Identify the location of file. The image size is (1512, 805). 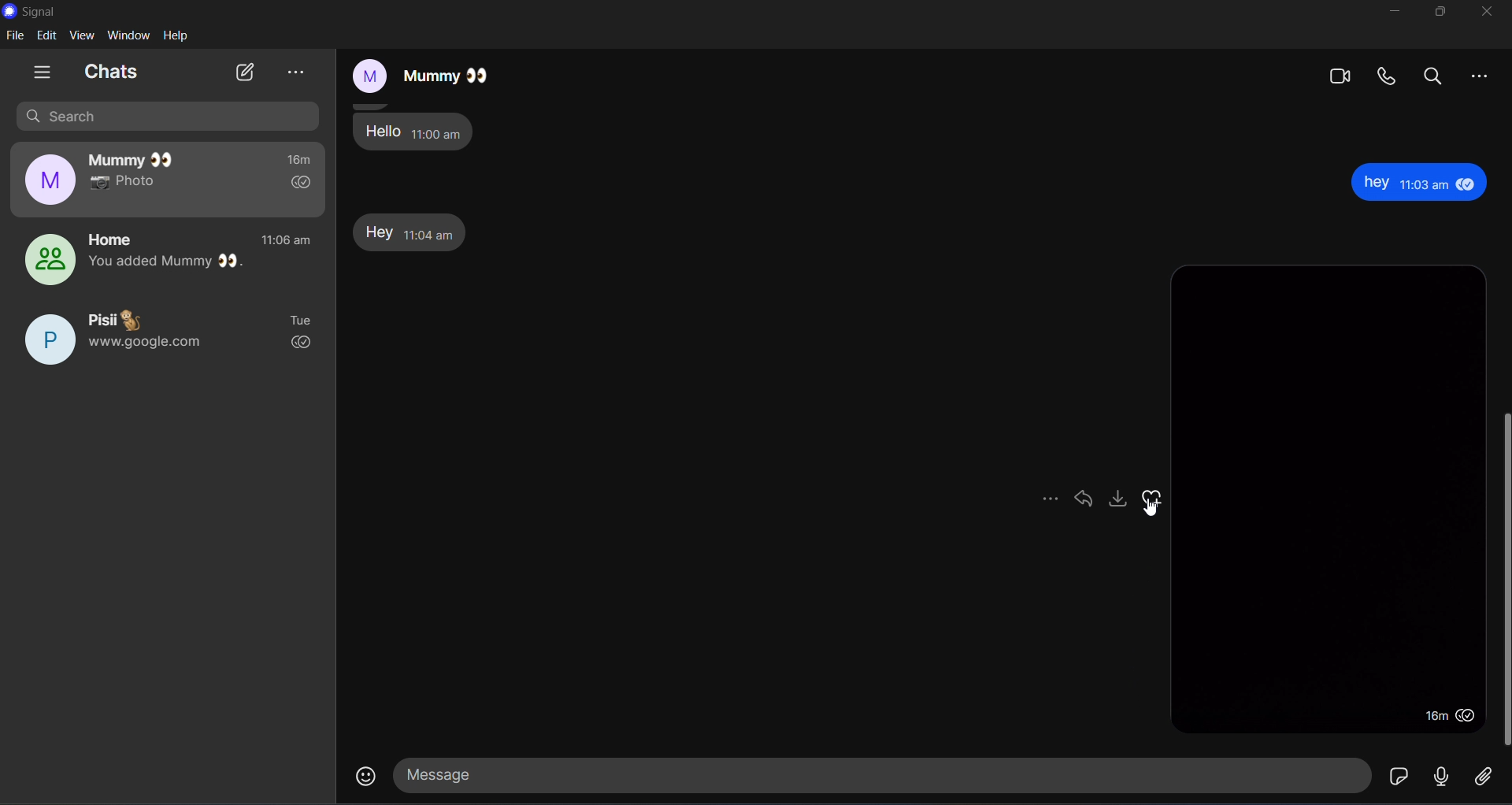
(15, 36).